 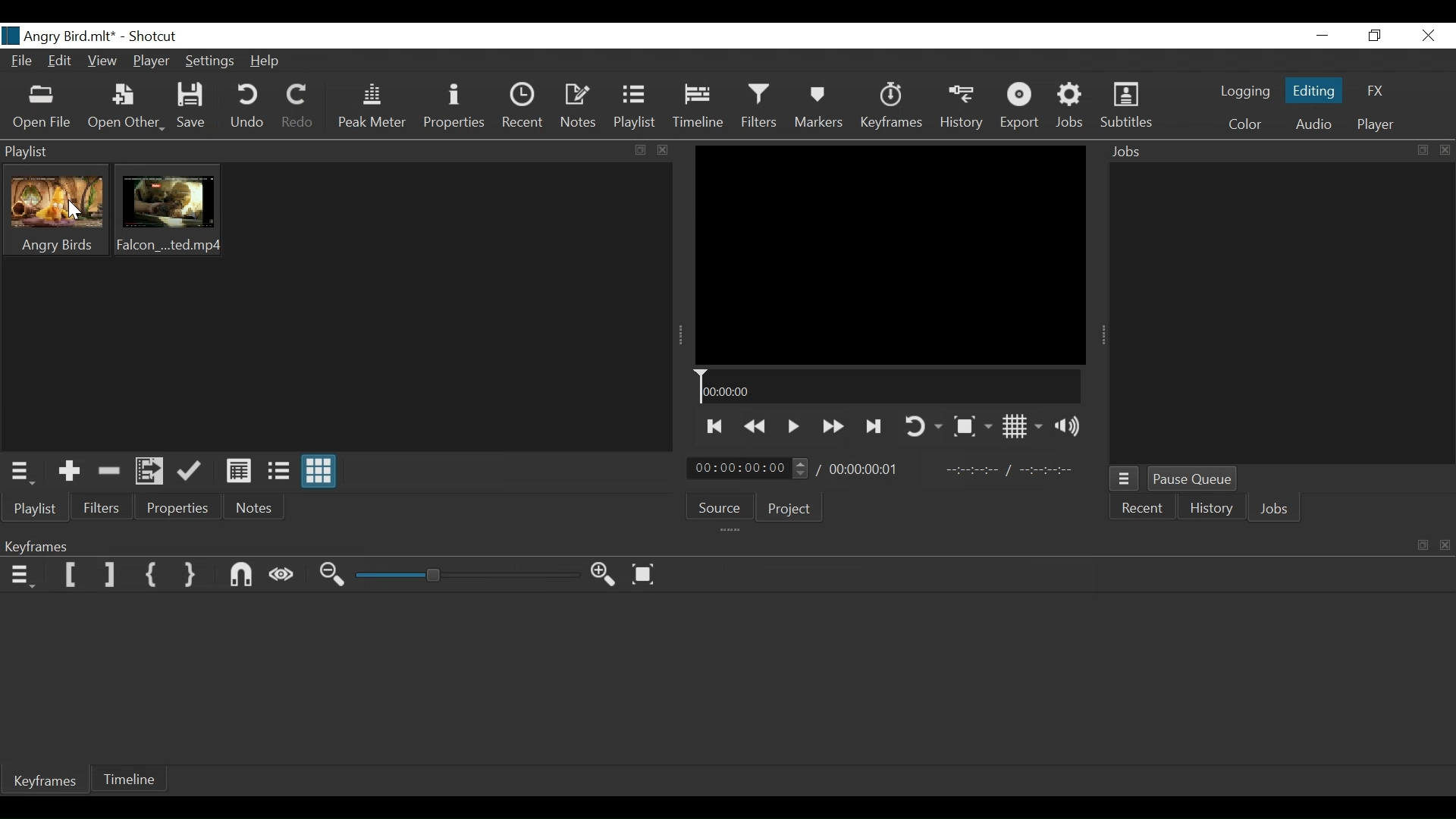 What do you see at coordinates (62, 212) in the screenshot?
I see `Clip` at bounding box center [62, 212].